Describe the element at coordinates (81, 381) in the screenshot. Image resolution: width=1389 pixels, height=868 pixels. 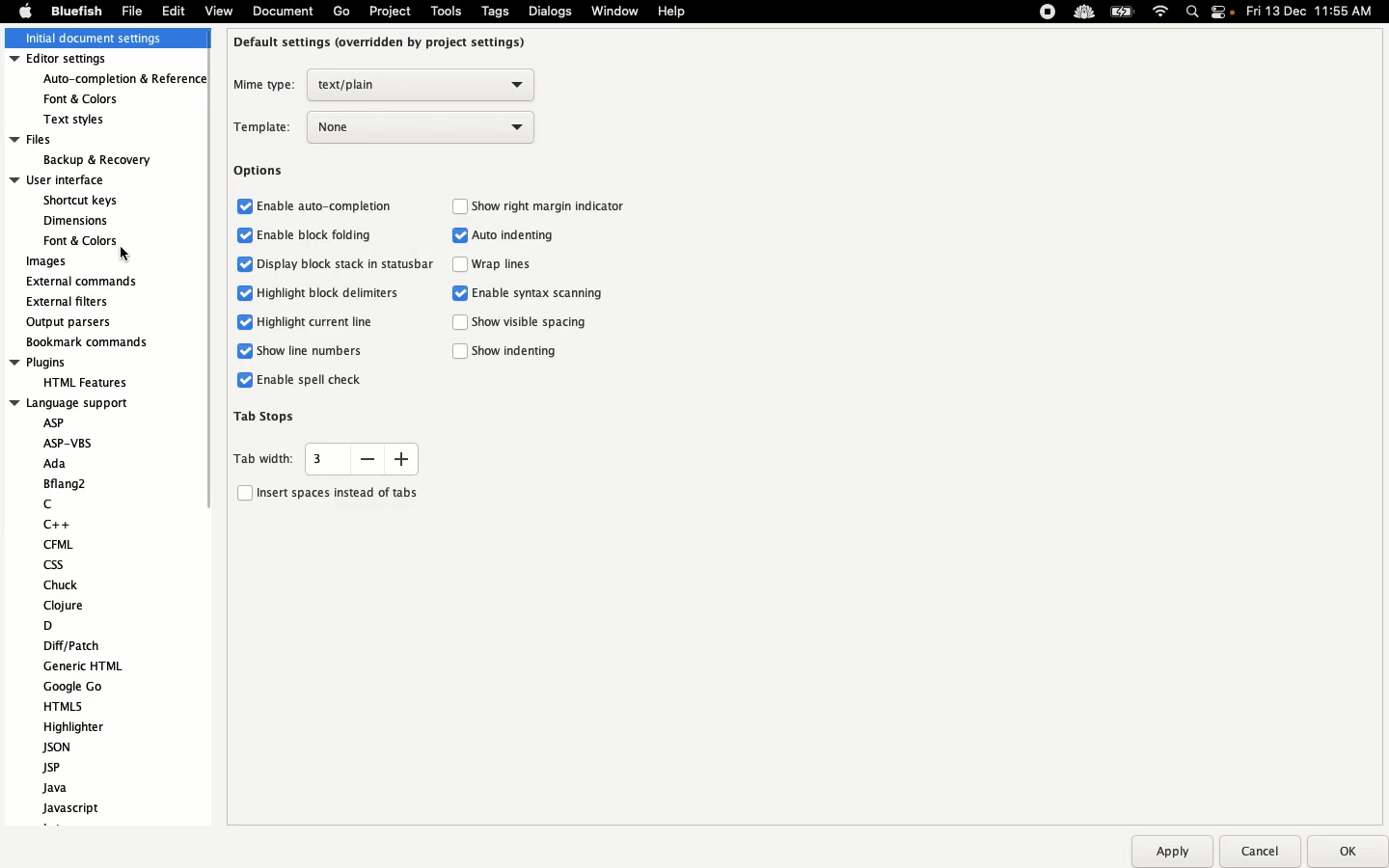
I see `HTML feature` at that location.